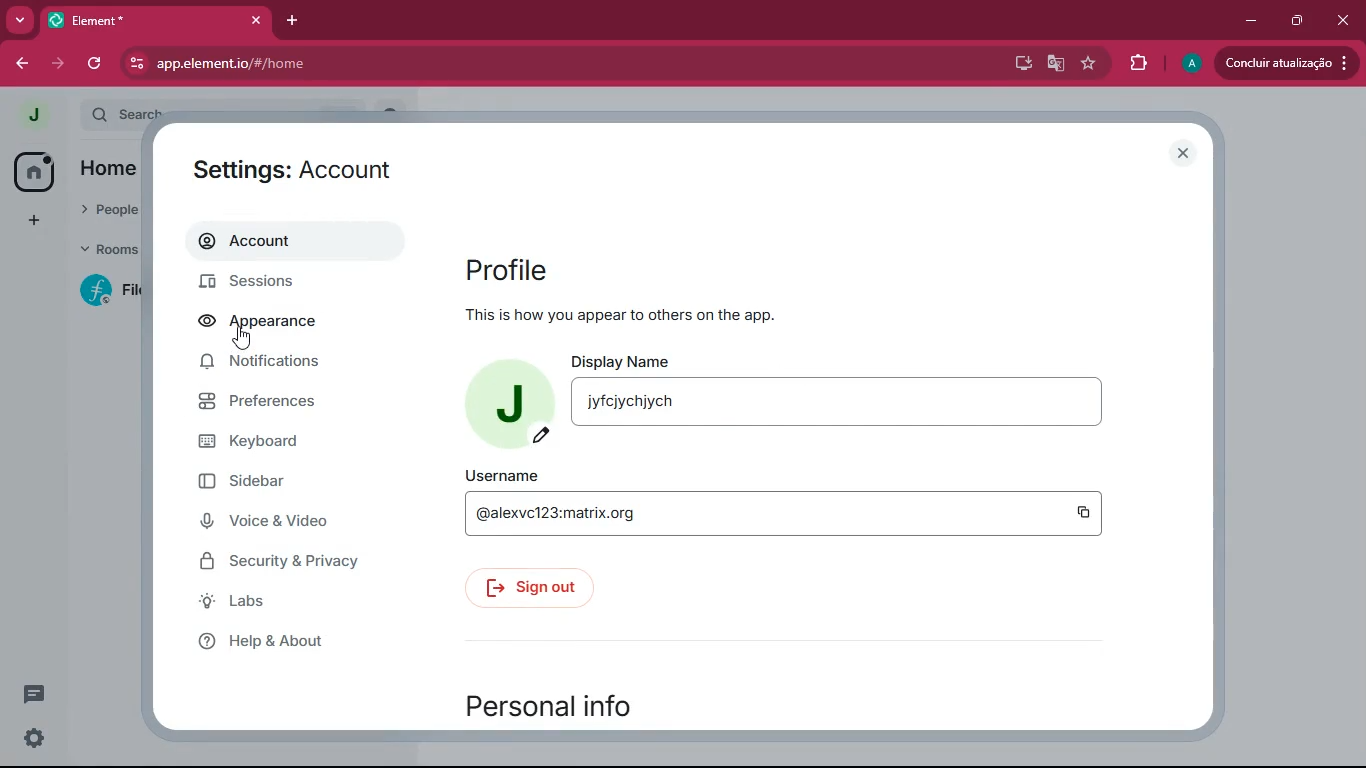 The width and height of the screenshot is (1366, 768). What do you see at coordinates (31, 114) in the screenshot?
I see `profile picture` at bounding box center [31, 114].